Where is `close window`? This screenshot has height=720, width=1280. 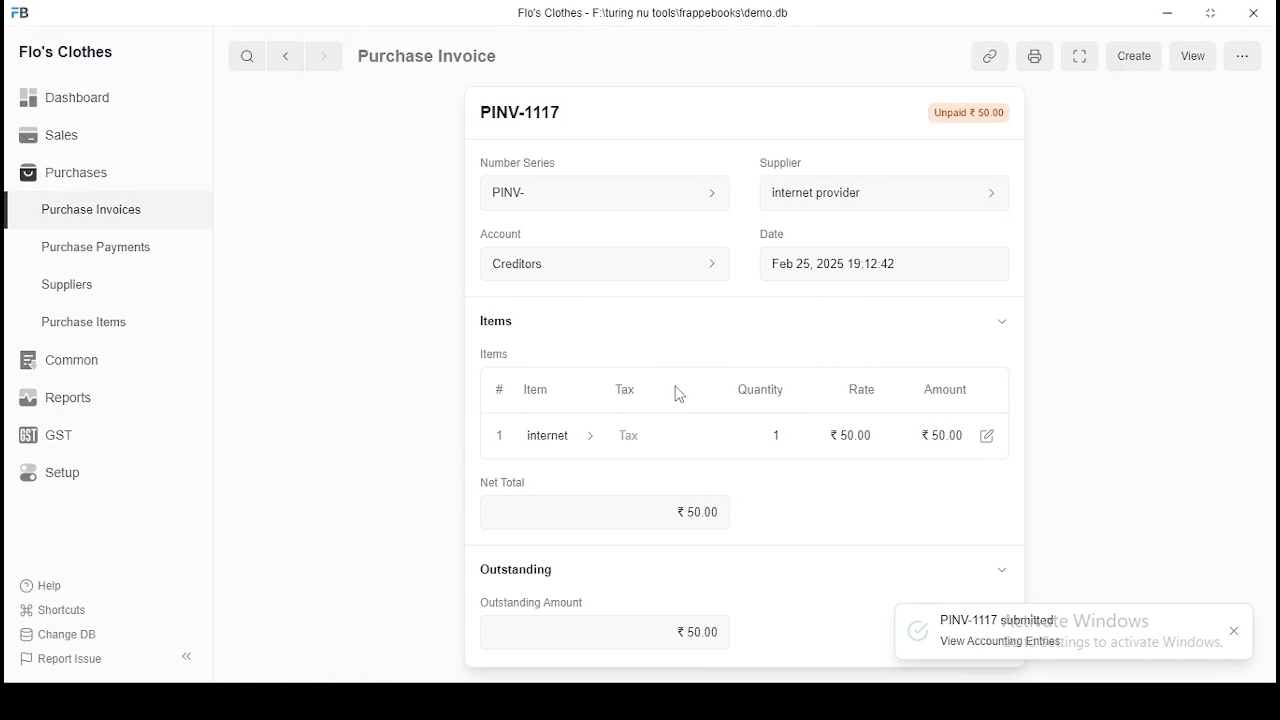 close window is located at coordinates (1254, 11).